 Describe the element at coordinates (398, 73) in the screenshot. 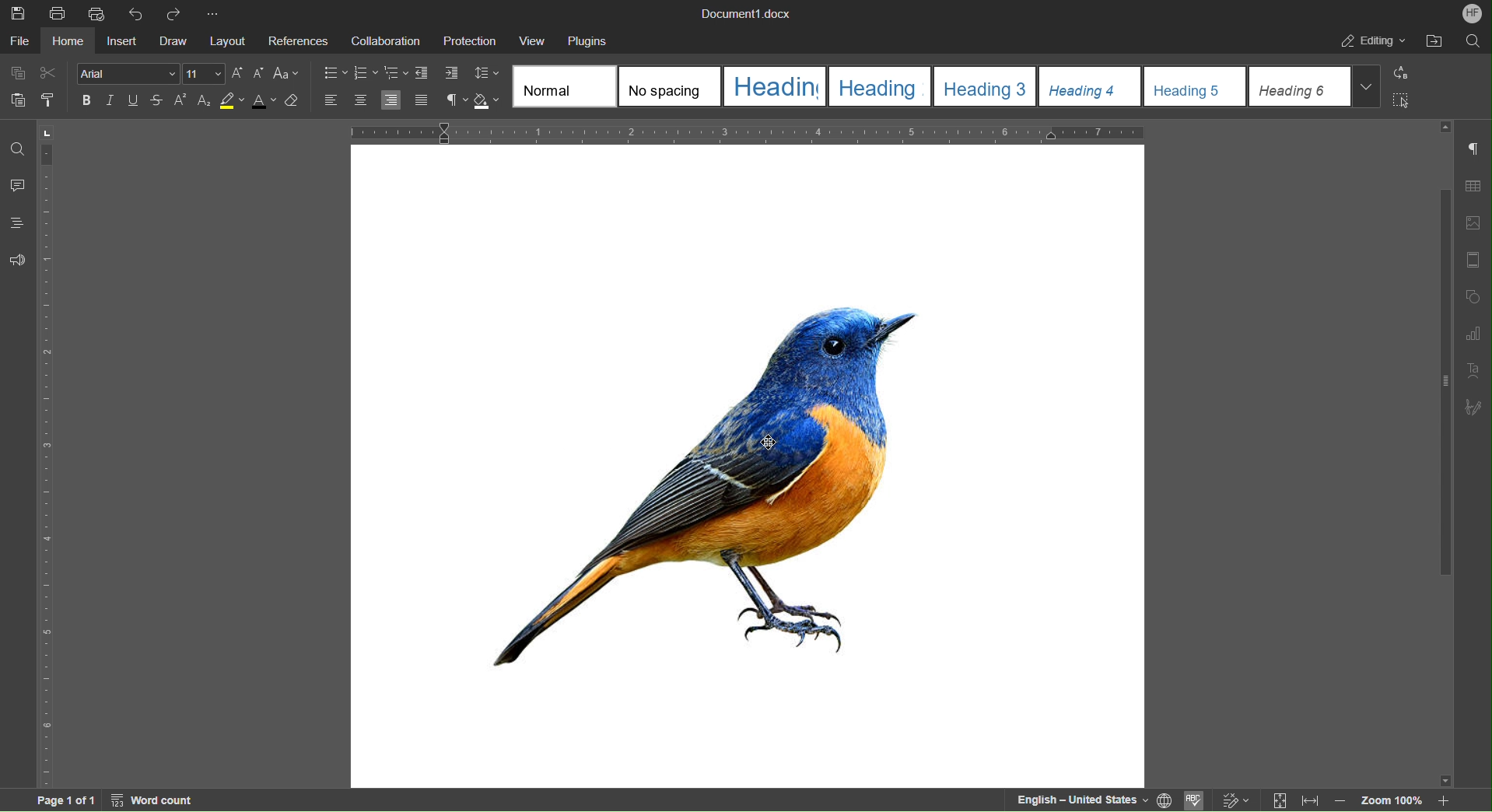

I see `Nested List` at that location.